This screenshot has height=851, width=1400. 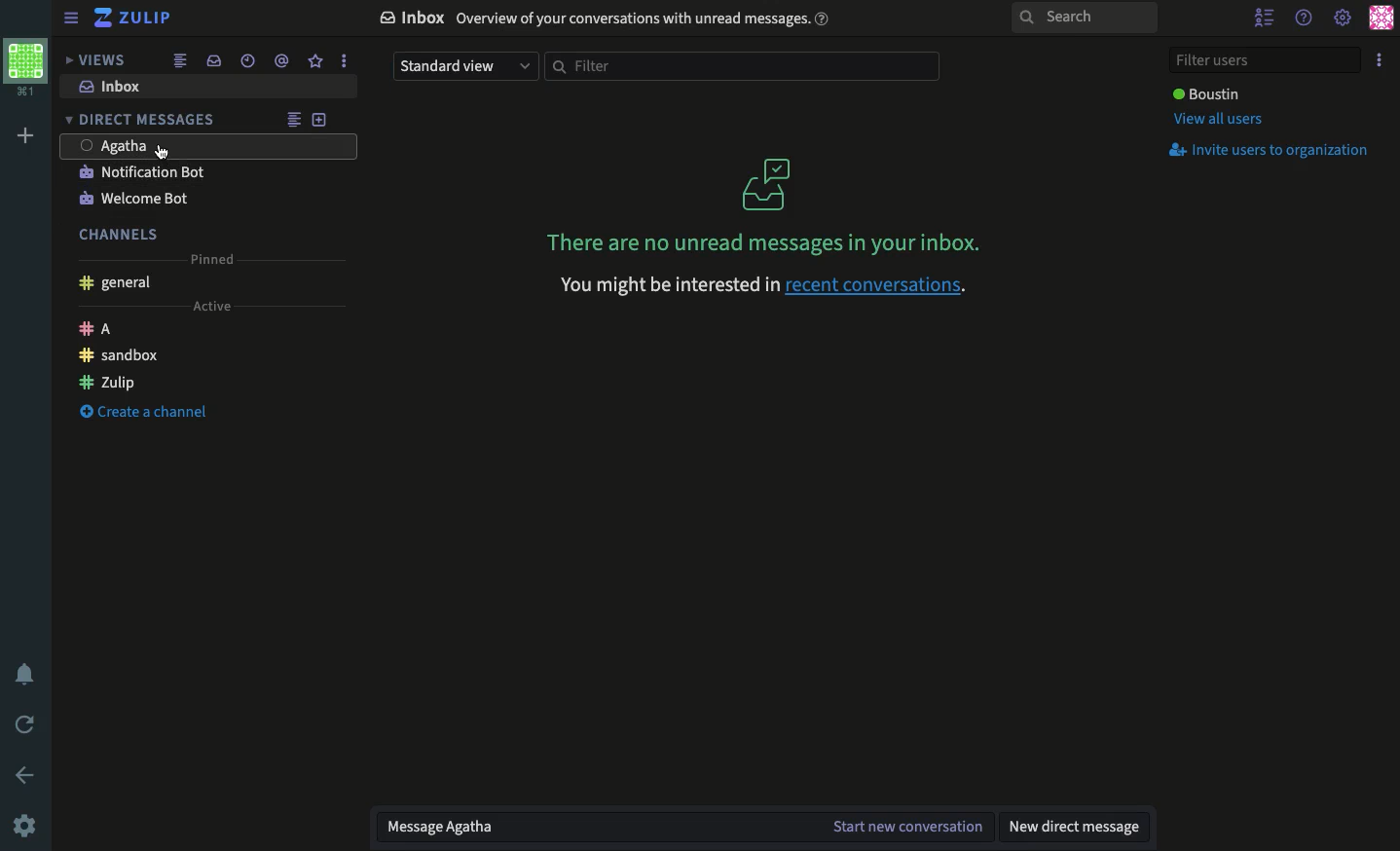 What do you see at coordinates (30, 673) in the screenshot?
I see `Notification ` at bounding box center [30, 673].